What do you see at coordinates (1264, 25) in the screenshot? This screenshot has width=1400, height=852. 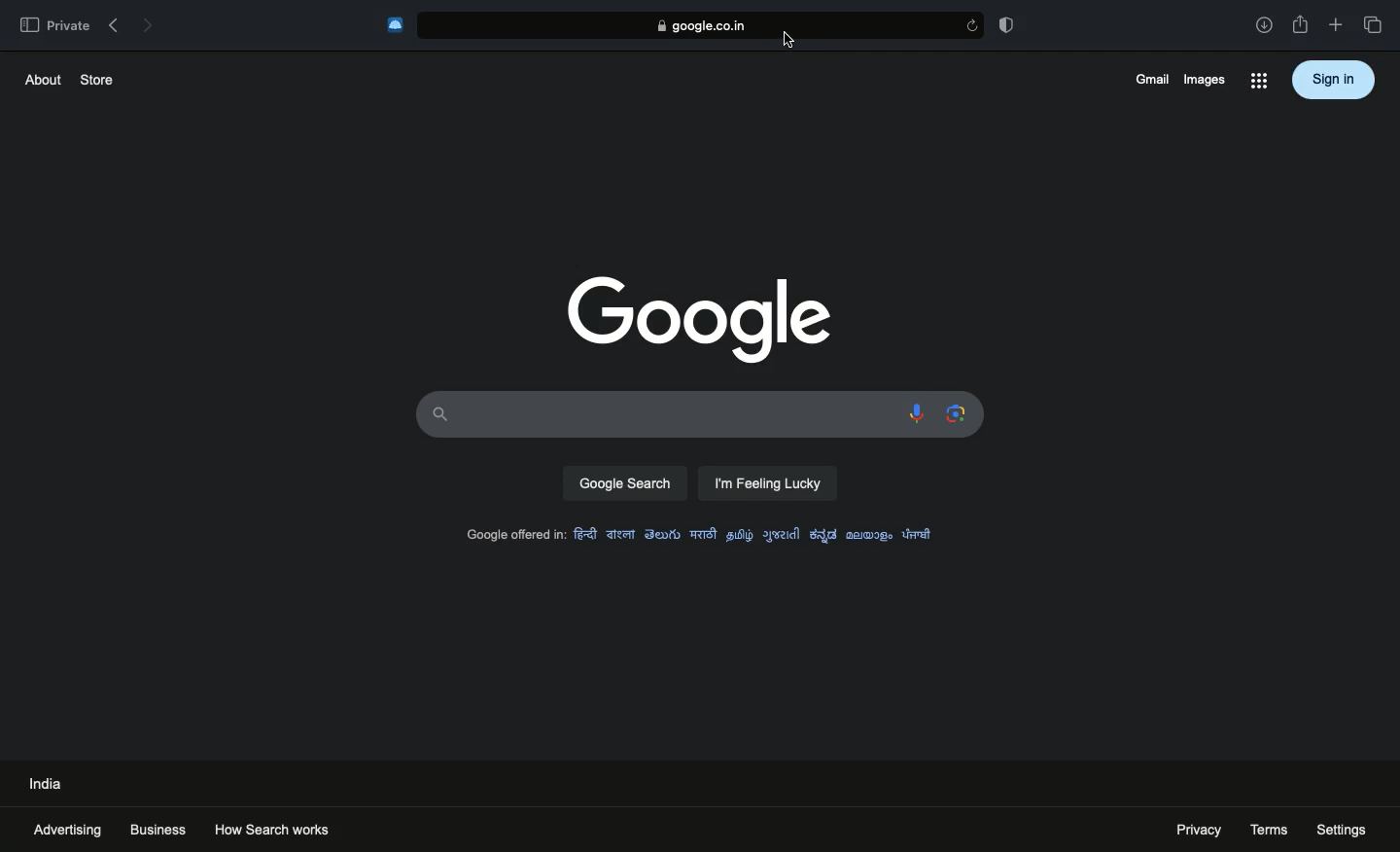 I see `Download` at bounding box center [1264, 25].